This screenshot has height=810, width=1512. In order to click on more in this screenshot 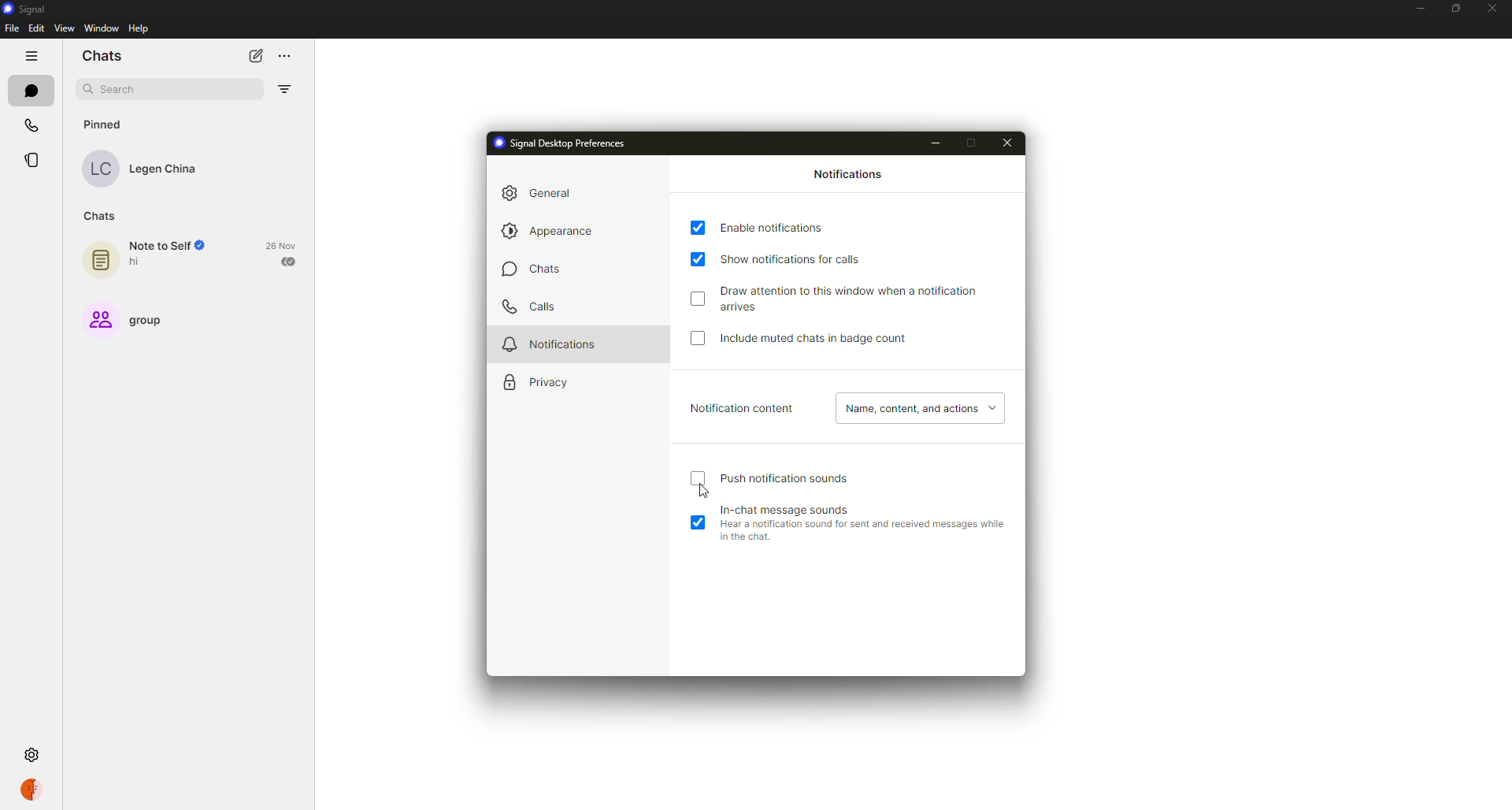, I will do `click(283, 54)`.